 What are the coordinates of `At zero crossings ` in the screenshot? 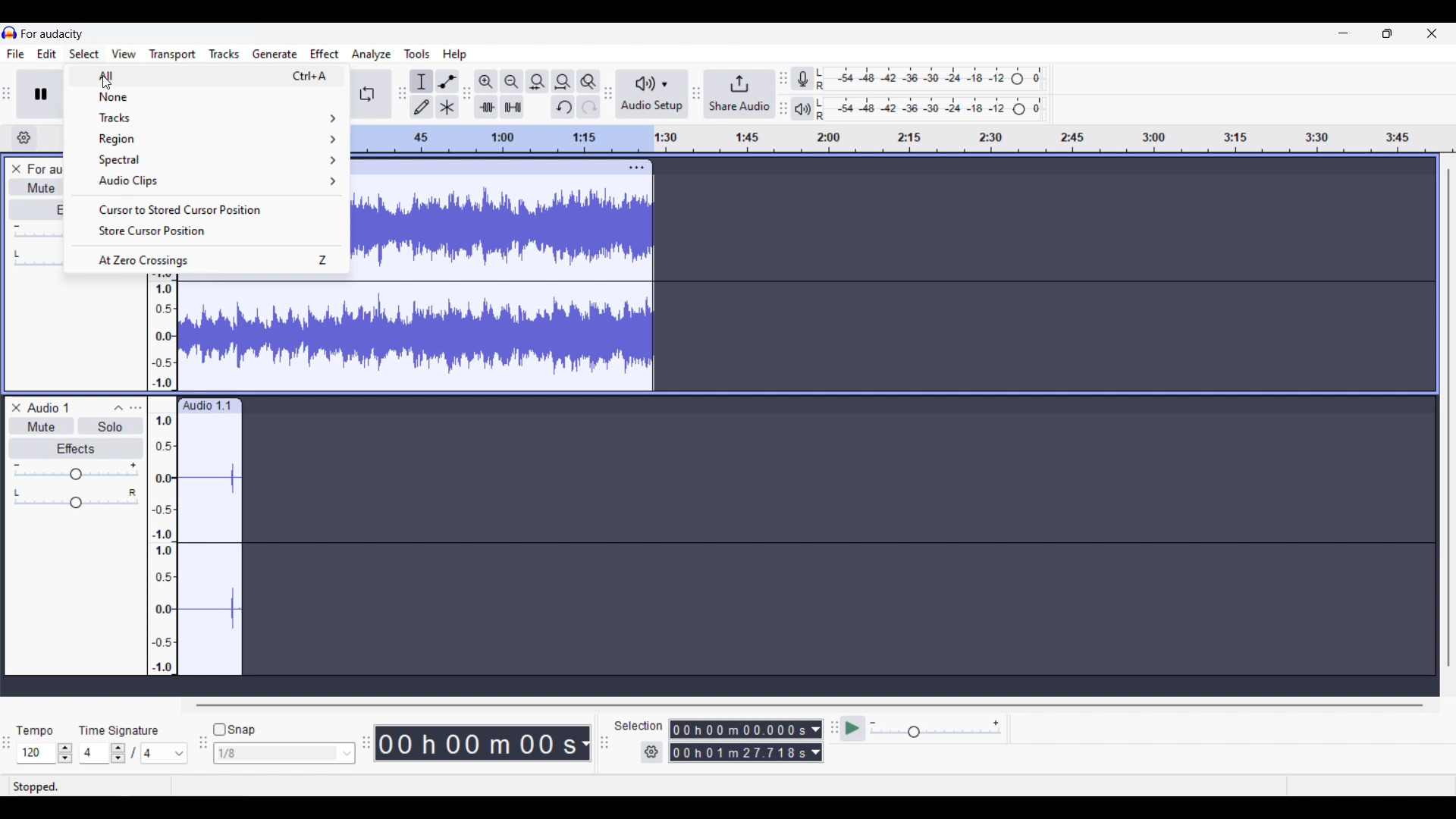 It's located at (206, 259).